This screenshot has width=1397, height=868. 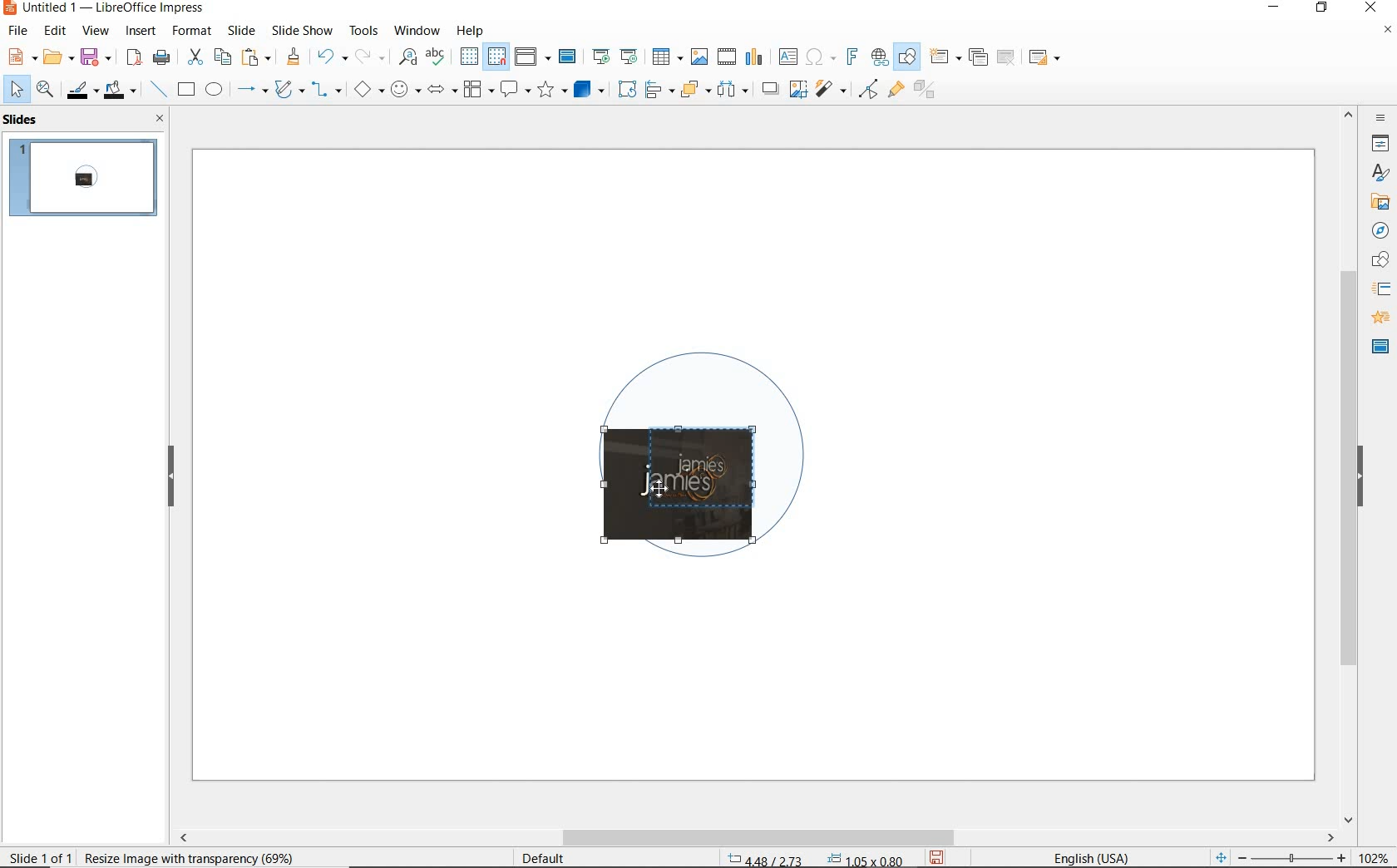 What do you see at coordinates (1378, 318) in the screenshot?
I see `animation` at bounding box center [1378, 318].